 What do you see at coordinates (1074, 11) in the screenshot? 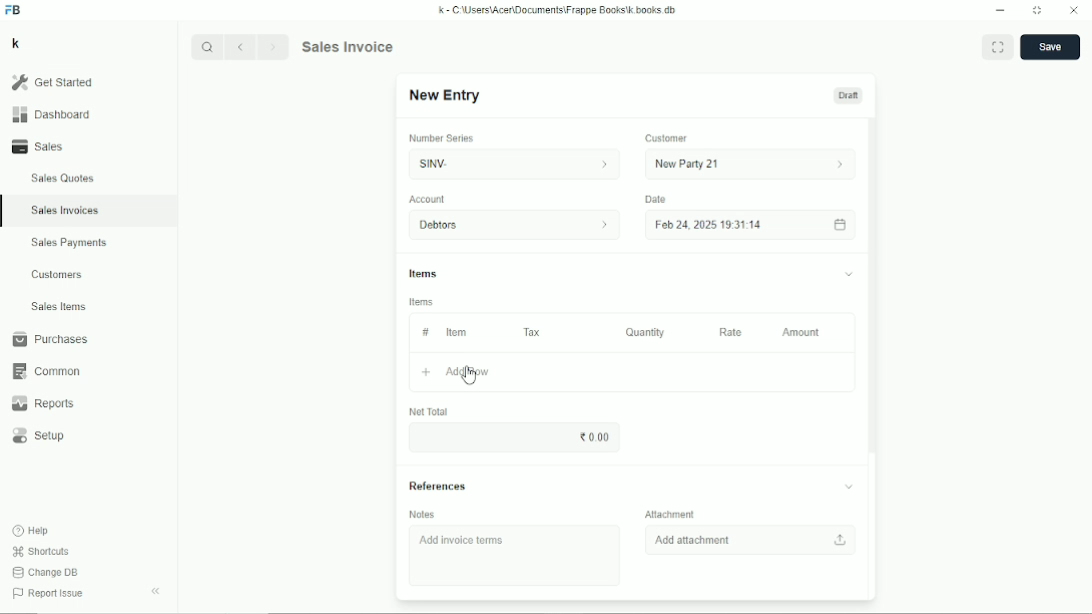
I see `Close` at bounding box center [1074, 11].